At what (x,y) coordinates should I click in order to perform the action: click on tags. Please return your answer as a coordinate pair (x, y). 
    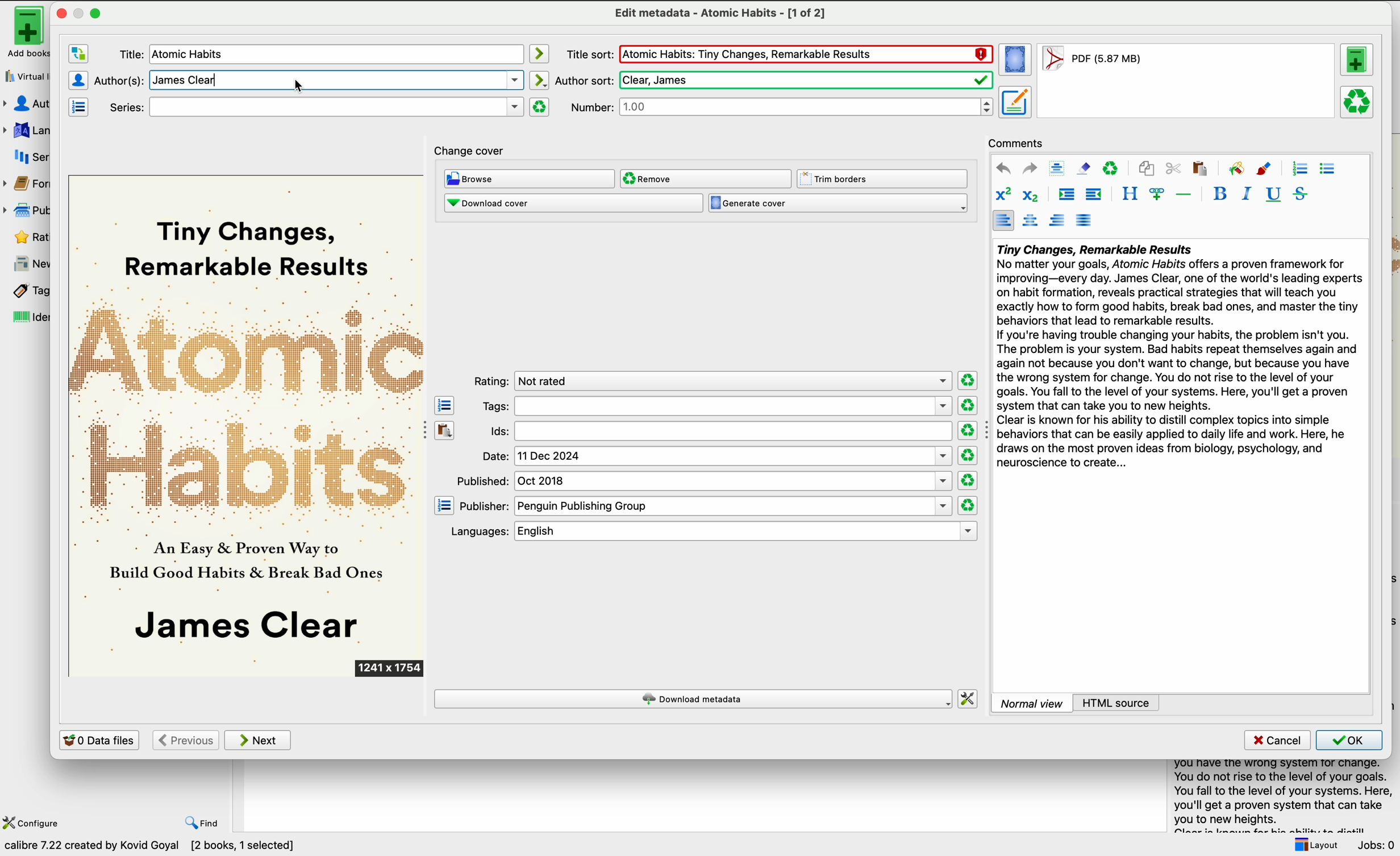
    Looking at the image, I should click on (24, 291).